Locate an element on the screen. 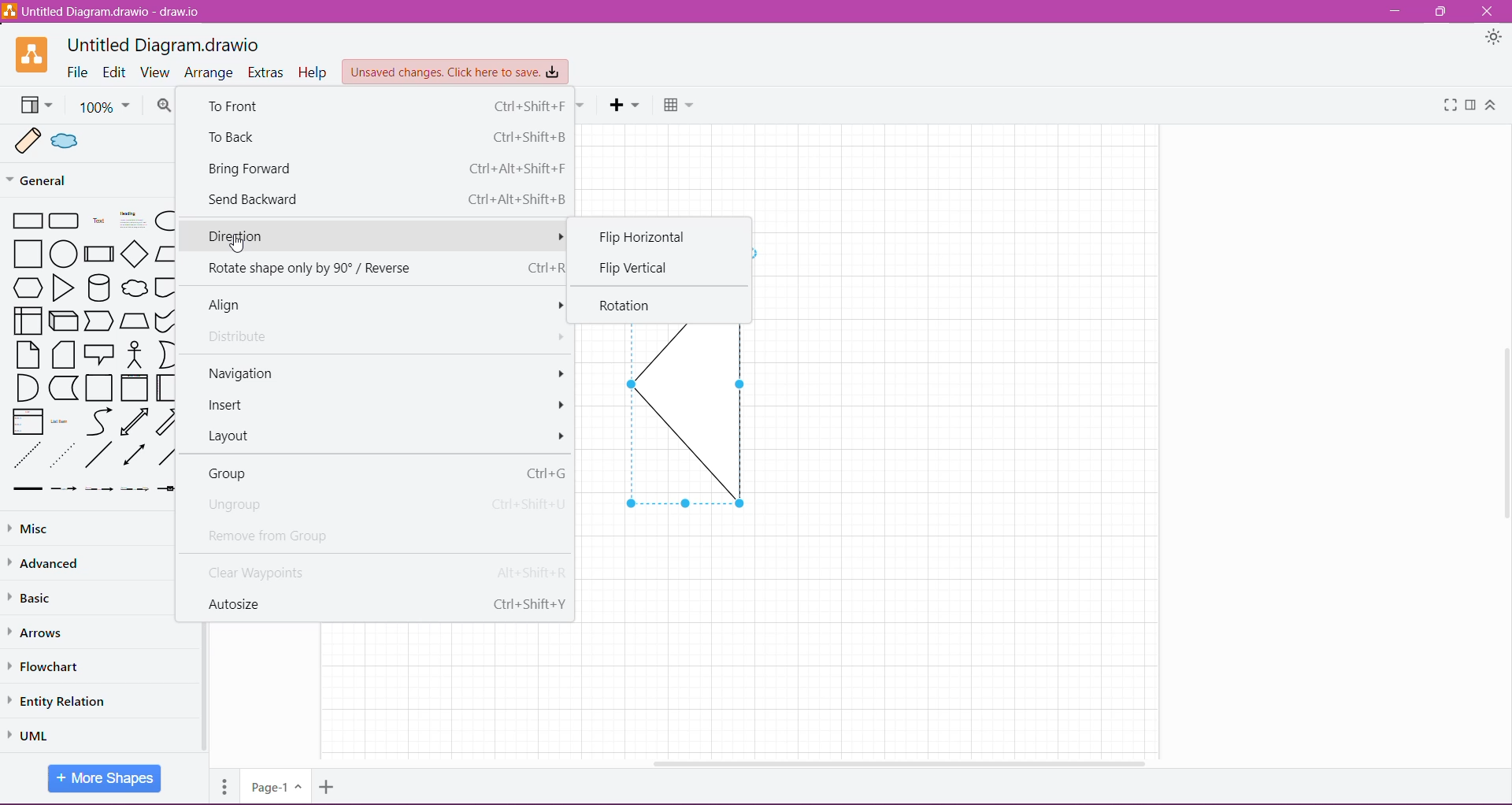 The width and height of the screenshot is (1512, 805). Format is located at coordinates (1470, 106).